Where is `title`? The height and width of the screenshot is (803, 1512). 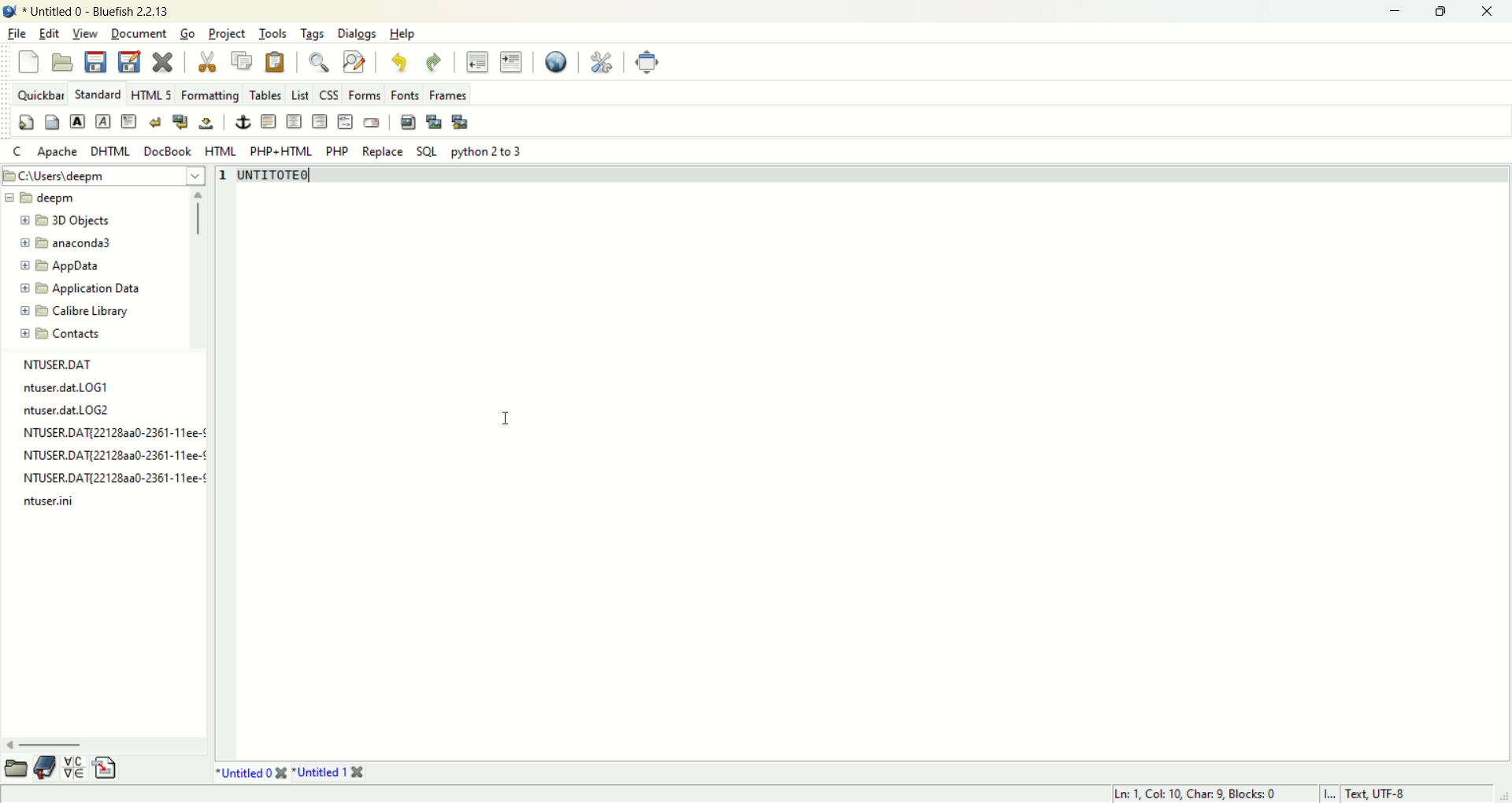
title is located at coordinates (98, 12).